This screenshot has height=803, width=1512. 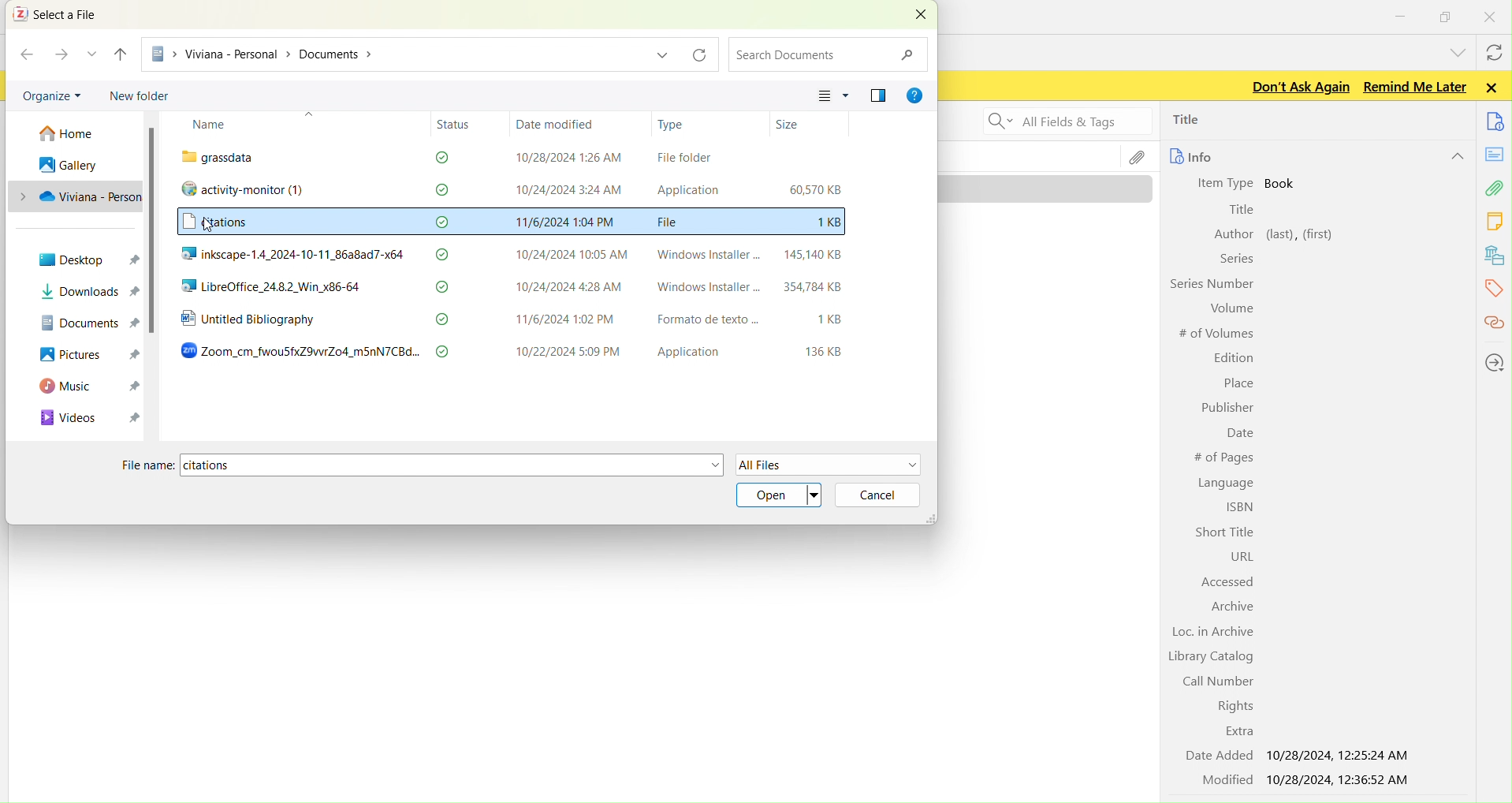 I want to click on 145,140 KB, so click(x=812, y=255).